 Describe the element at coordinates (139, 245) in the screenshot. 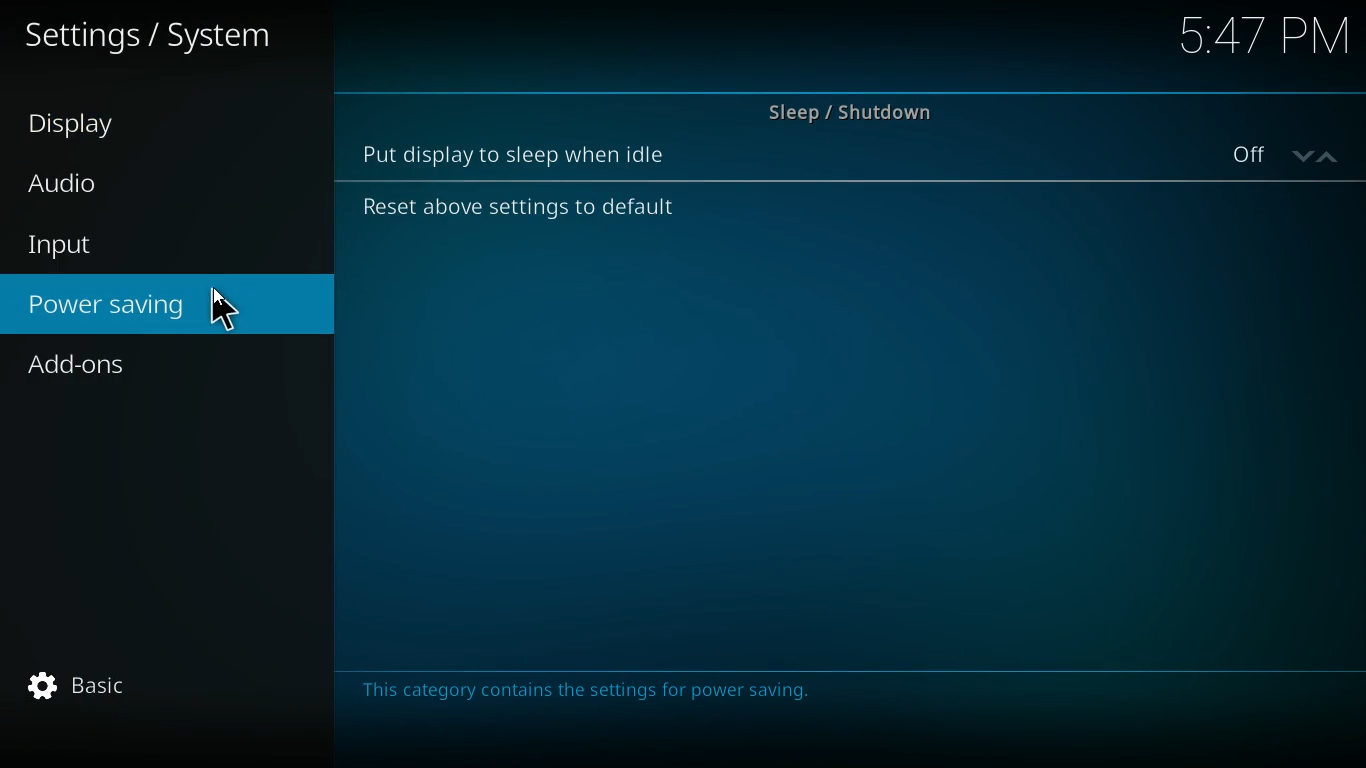

I see `input` at that location.